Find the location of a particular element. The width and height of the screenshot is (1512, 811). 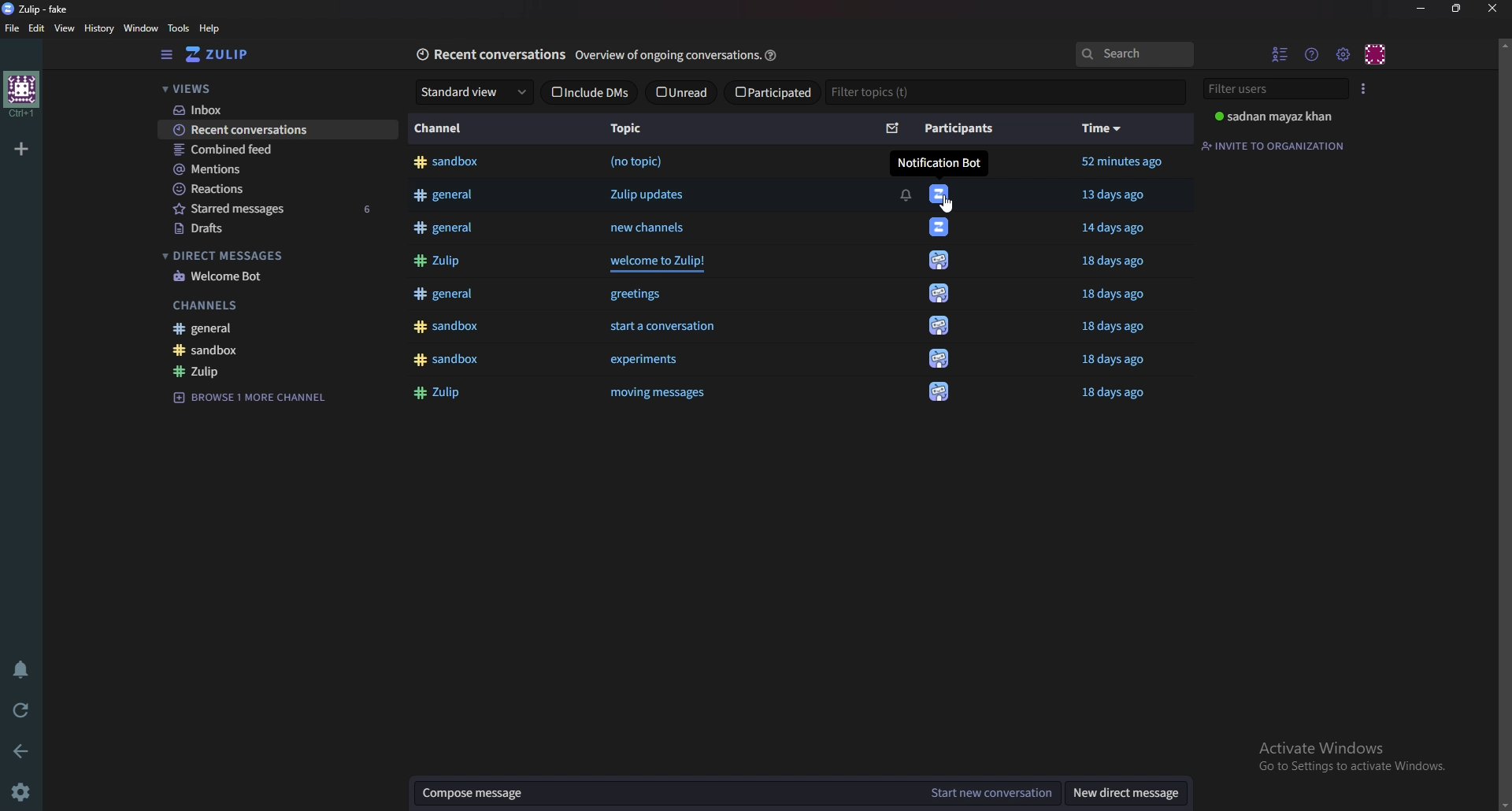

icon is located at coordinates (938, 263).